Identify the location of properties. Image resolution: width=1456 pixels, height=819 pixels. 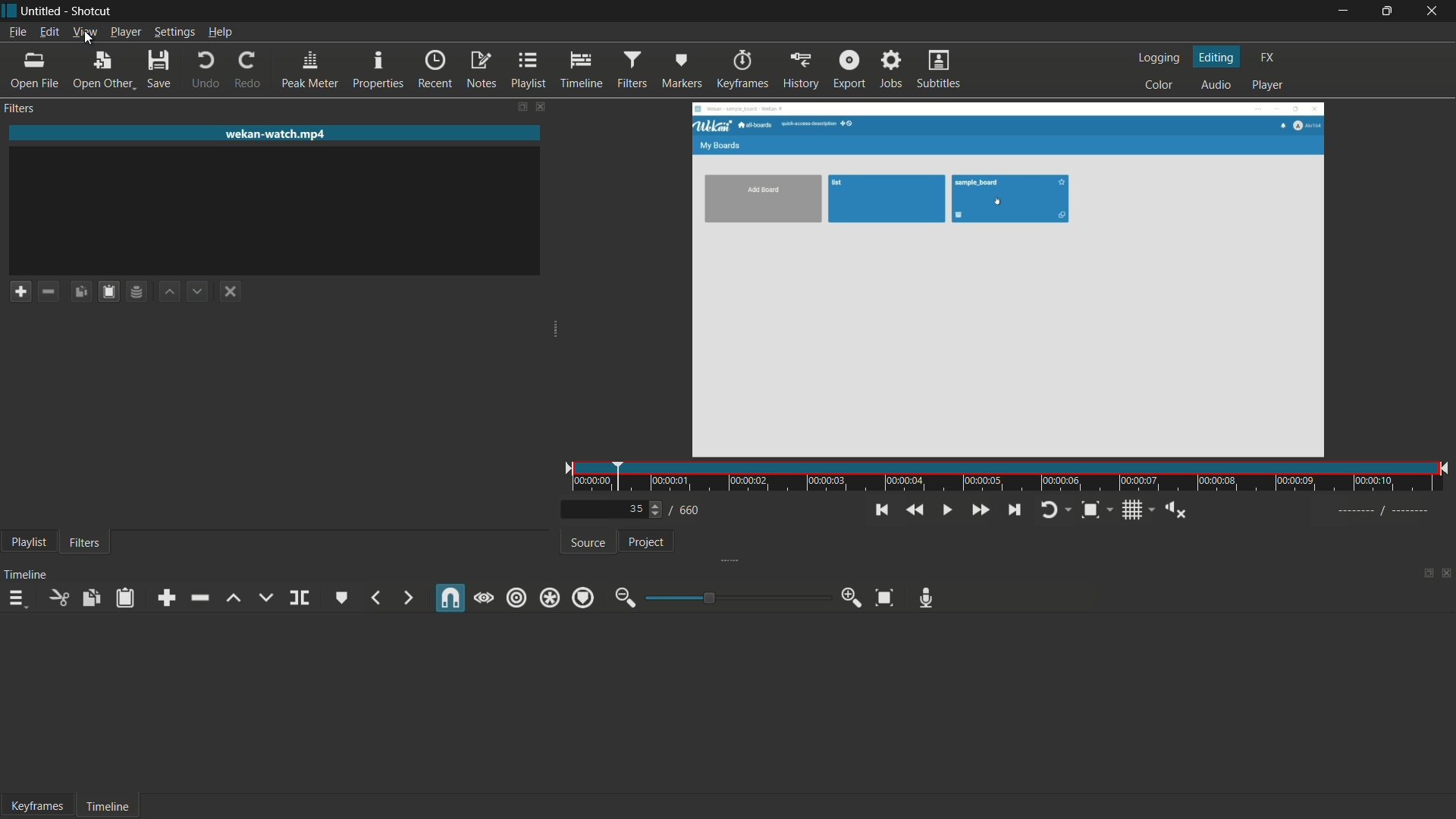
(378, 71).